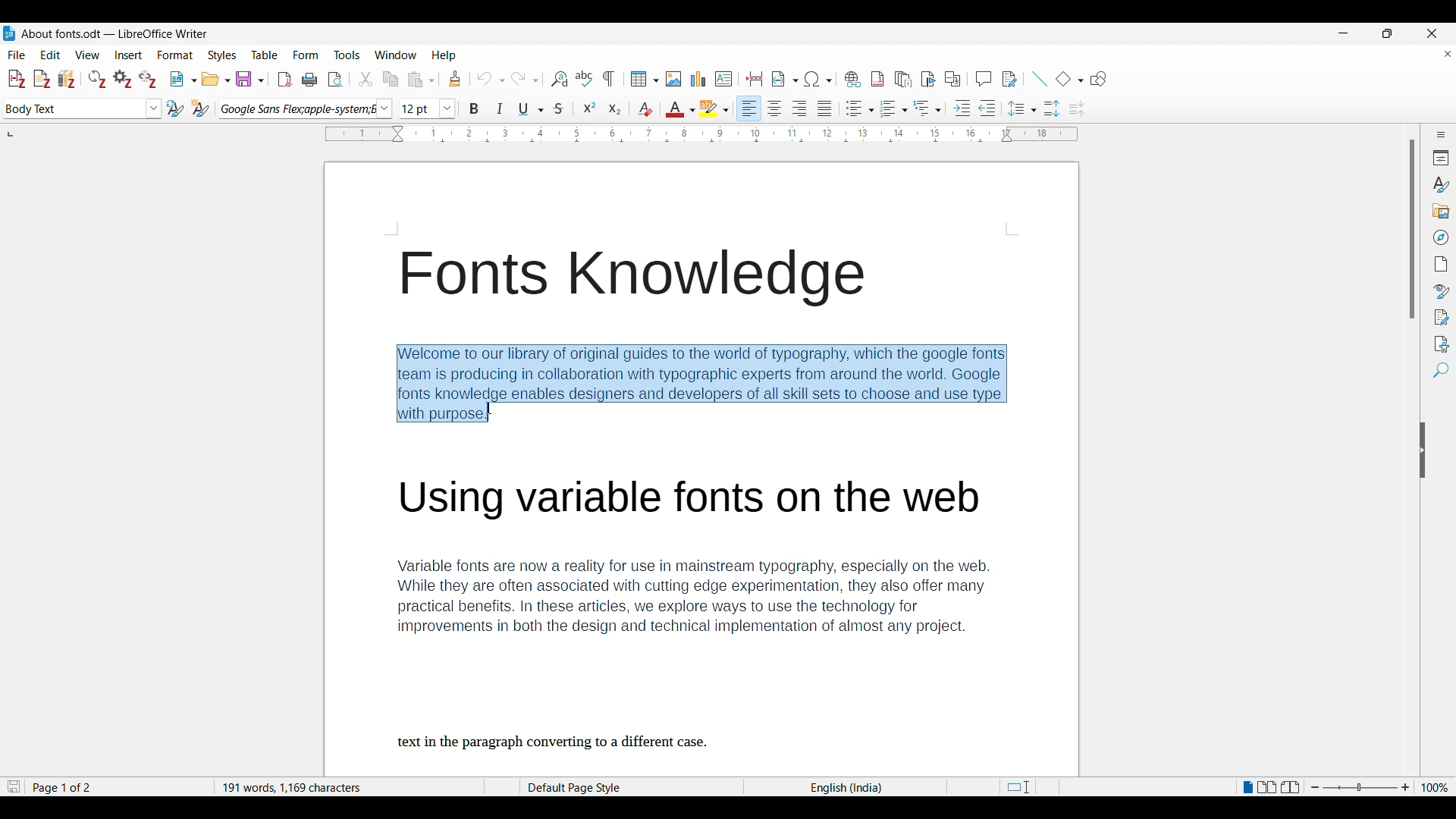  I want to click on Select outline format, so click(927, 108).